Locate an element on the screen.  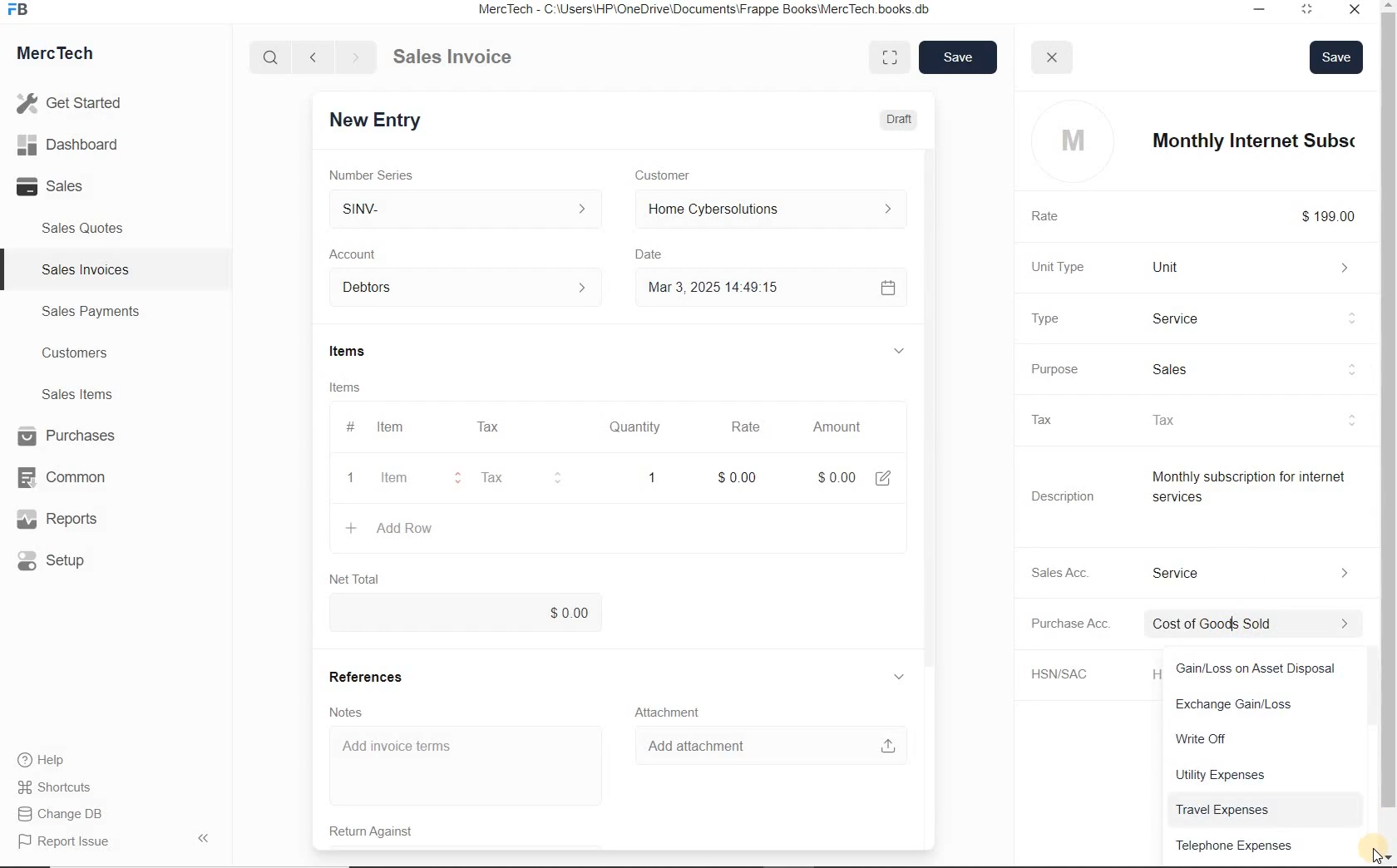
rate: $0.00 is located at coordinates (745, 476).